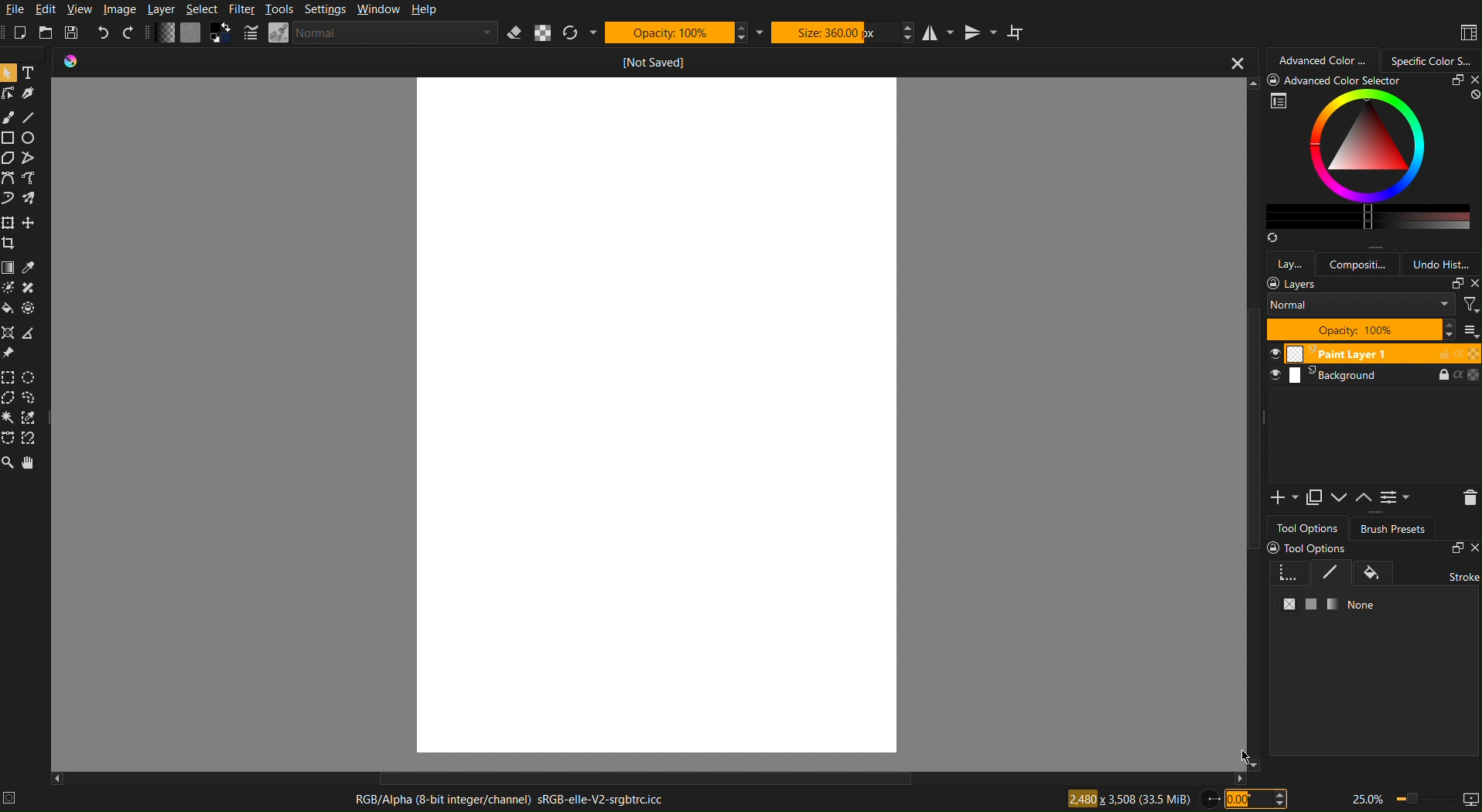 This screenshot has width=1482, height=812. What do you see at coordinates (834, 32) in the screenshot?
I see `Size` at bounding box center [834, 32].